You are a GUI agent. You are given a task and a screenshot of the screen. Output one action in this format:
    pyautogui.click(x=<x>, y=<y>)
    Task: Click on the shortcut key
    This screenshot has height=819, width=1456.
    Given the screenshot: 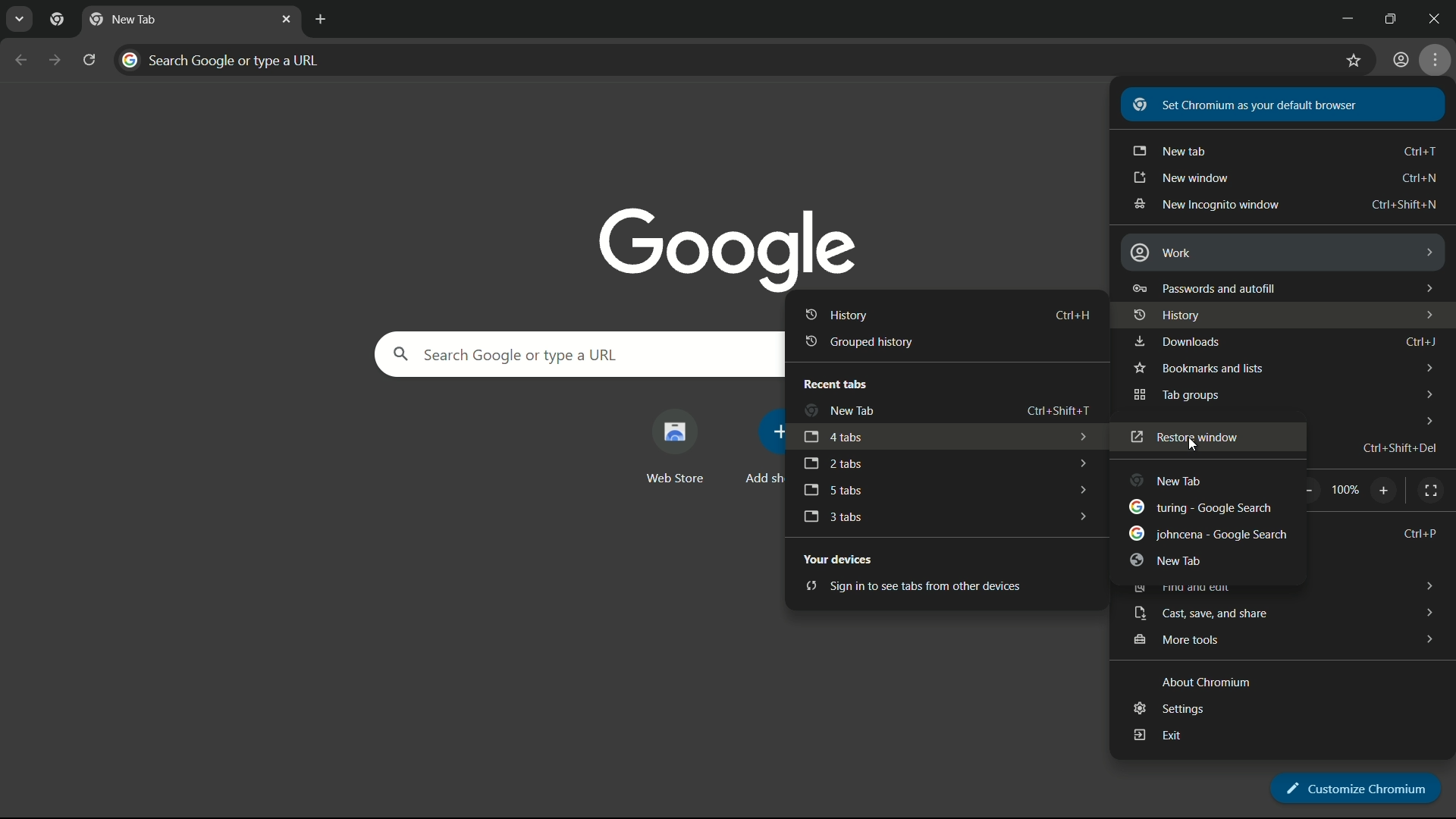 What is the action you would take?
    pyautogui.click(x=1072, y=313)
    